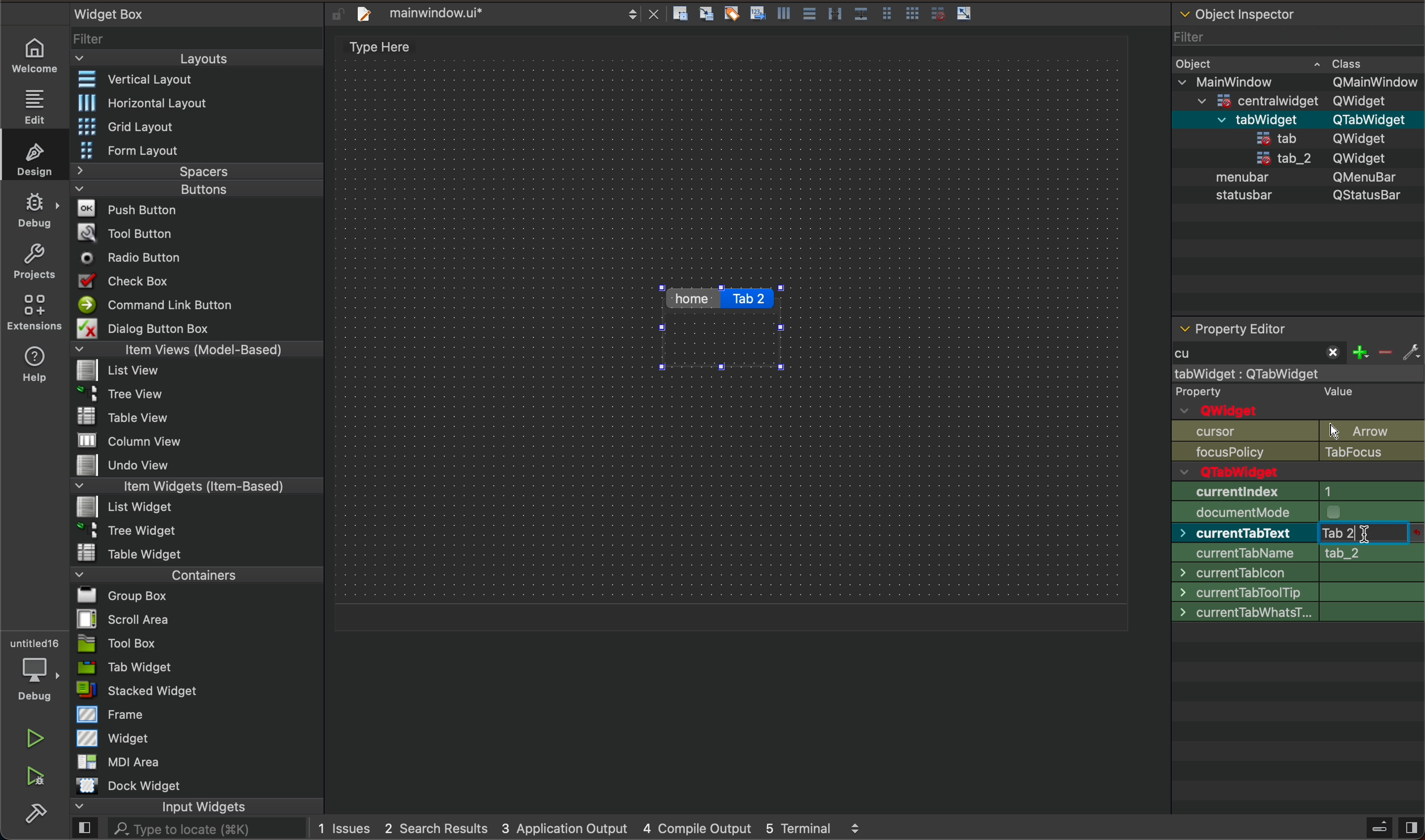  Describe the element at coordinates (146, 786) in the screenshot. I see `Dock widget` at that location.